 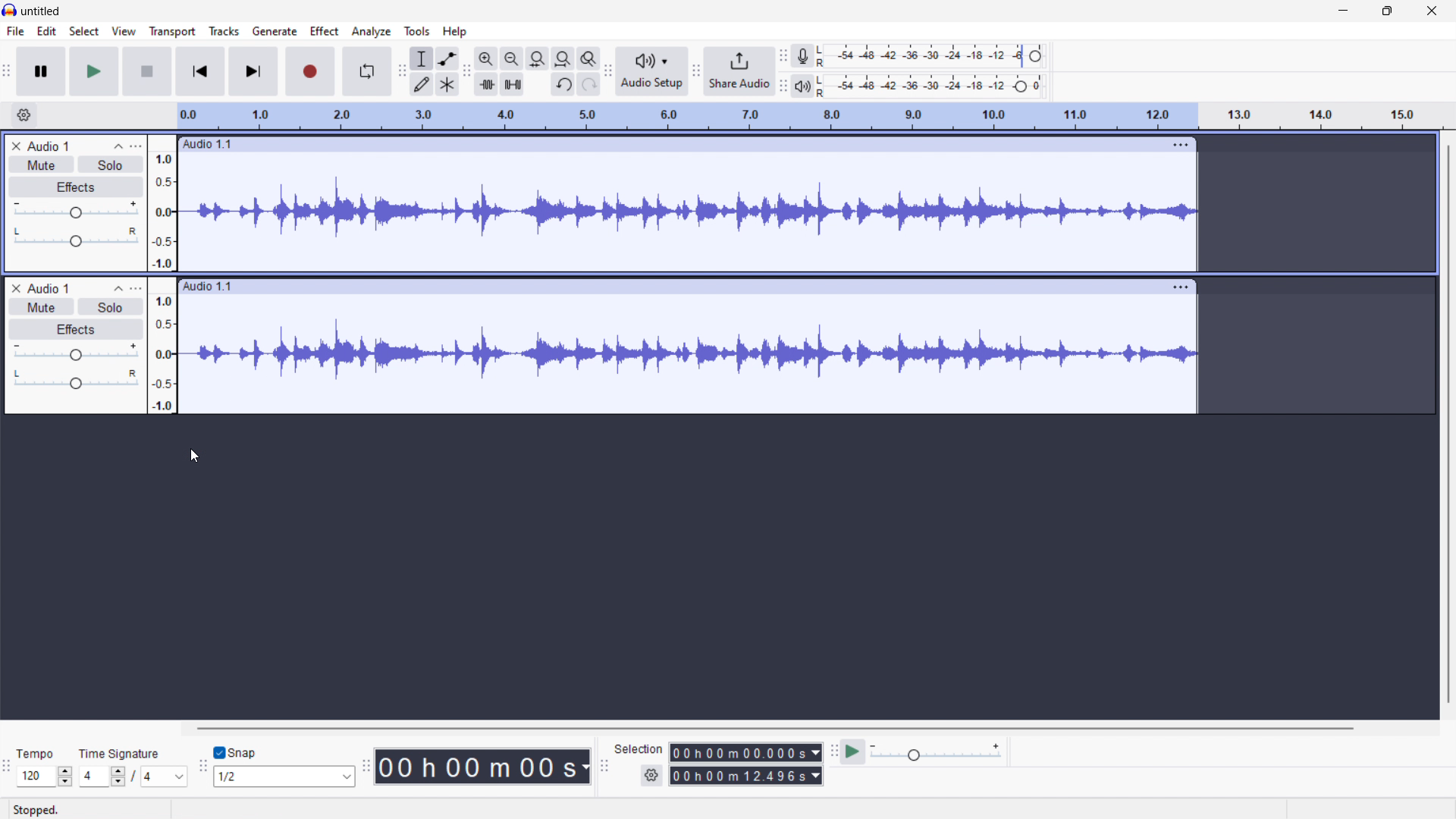 I want to click on Audio, so click(x=52, y=287).